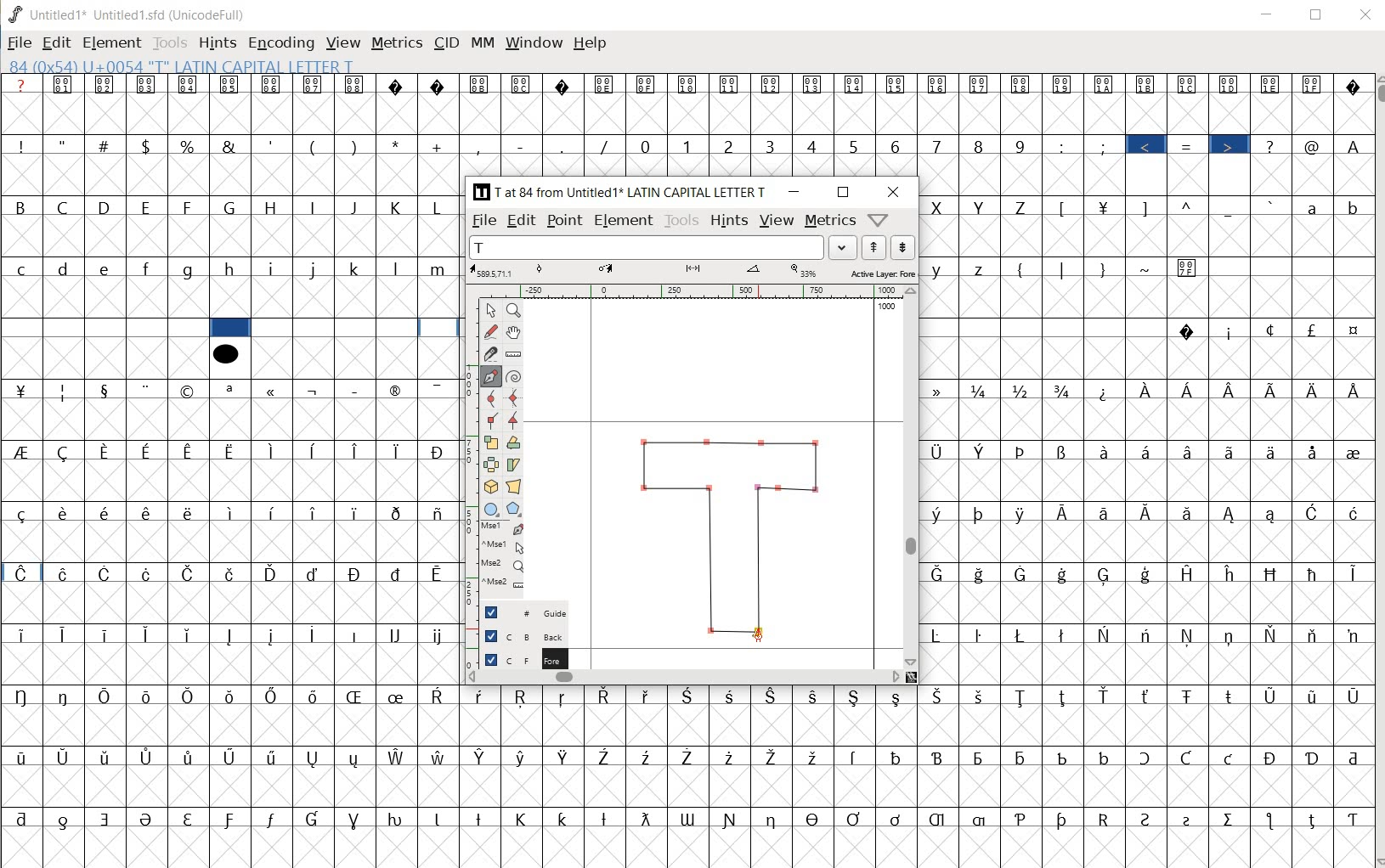  I want to click on Symbol, so click(357, 635).